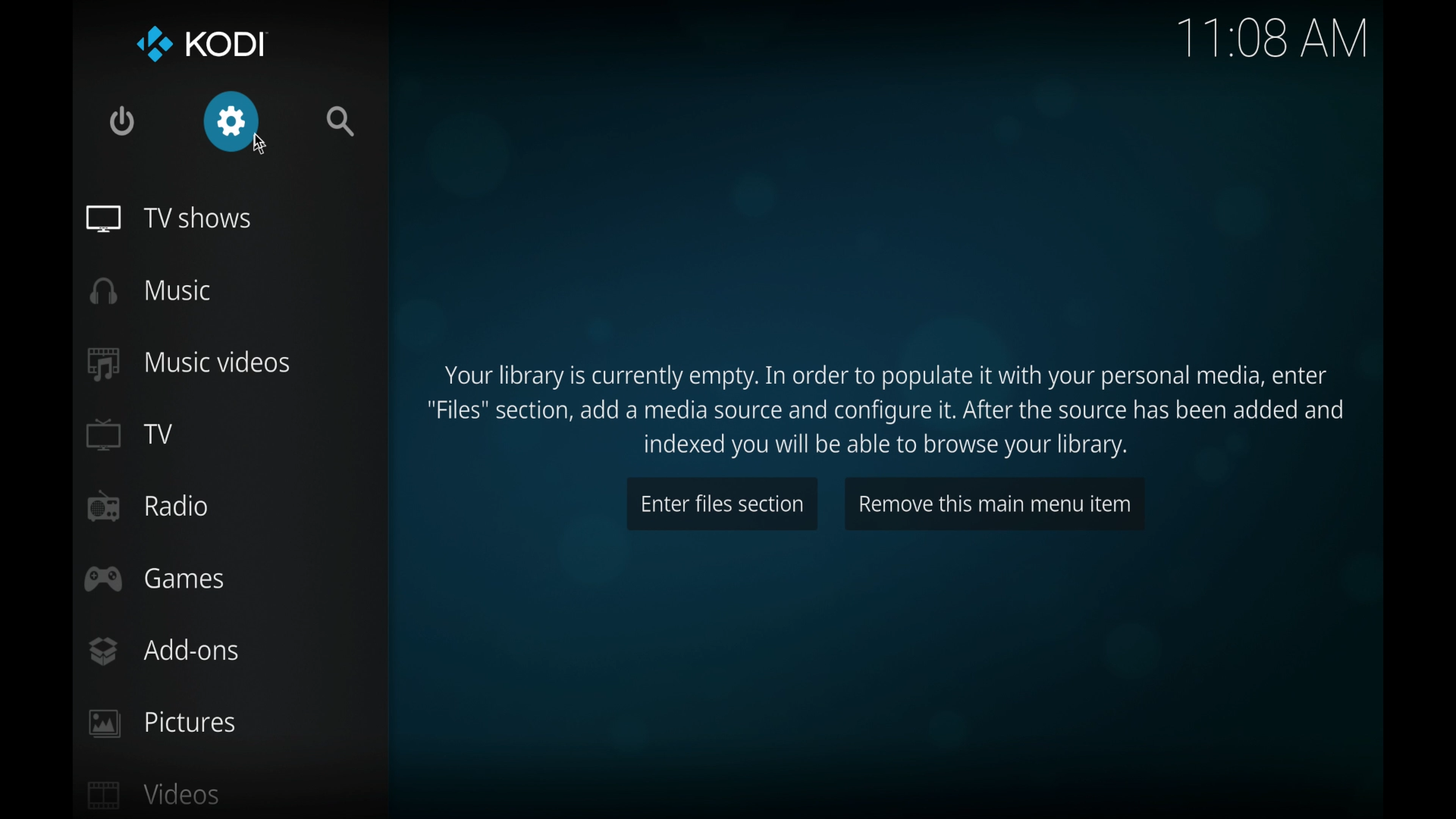 The width and height of the screenshot is (1456, 819). Describe the element at coordinates (1273, 39) in the screenshot. I see `time` at that location.